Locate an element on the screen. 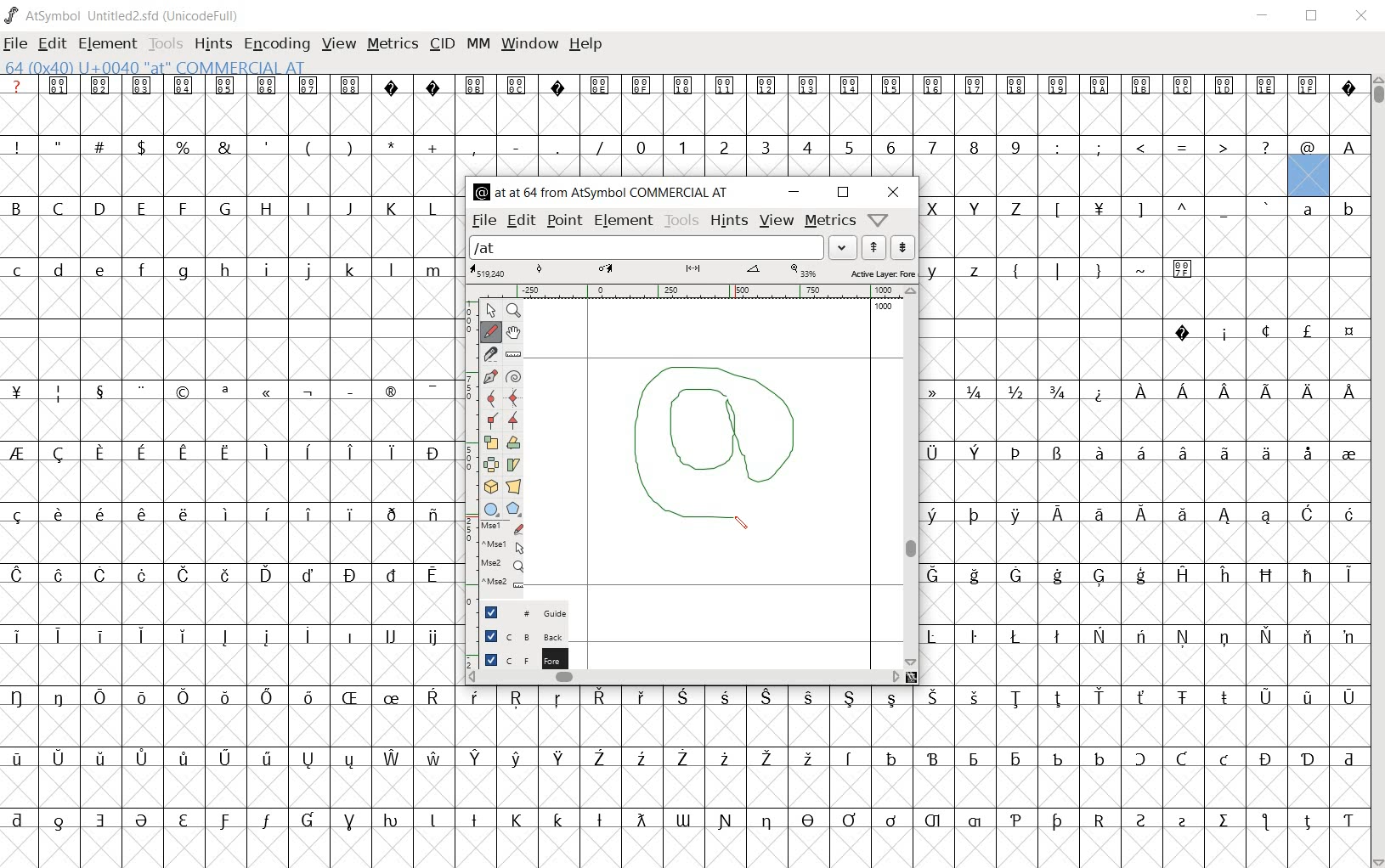 The width and height of the screenshot is (1385, 868). checkbox is located at coordinates (489, 612).